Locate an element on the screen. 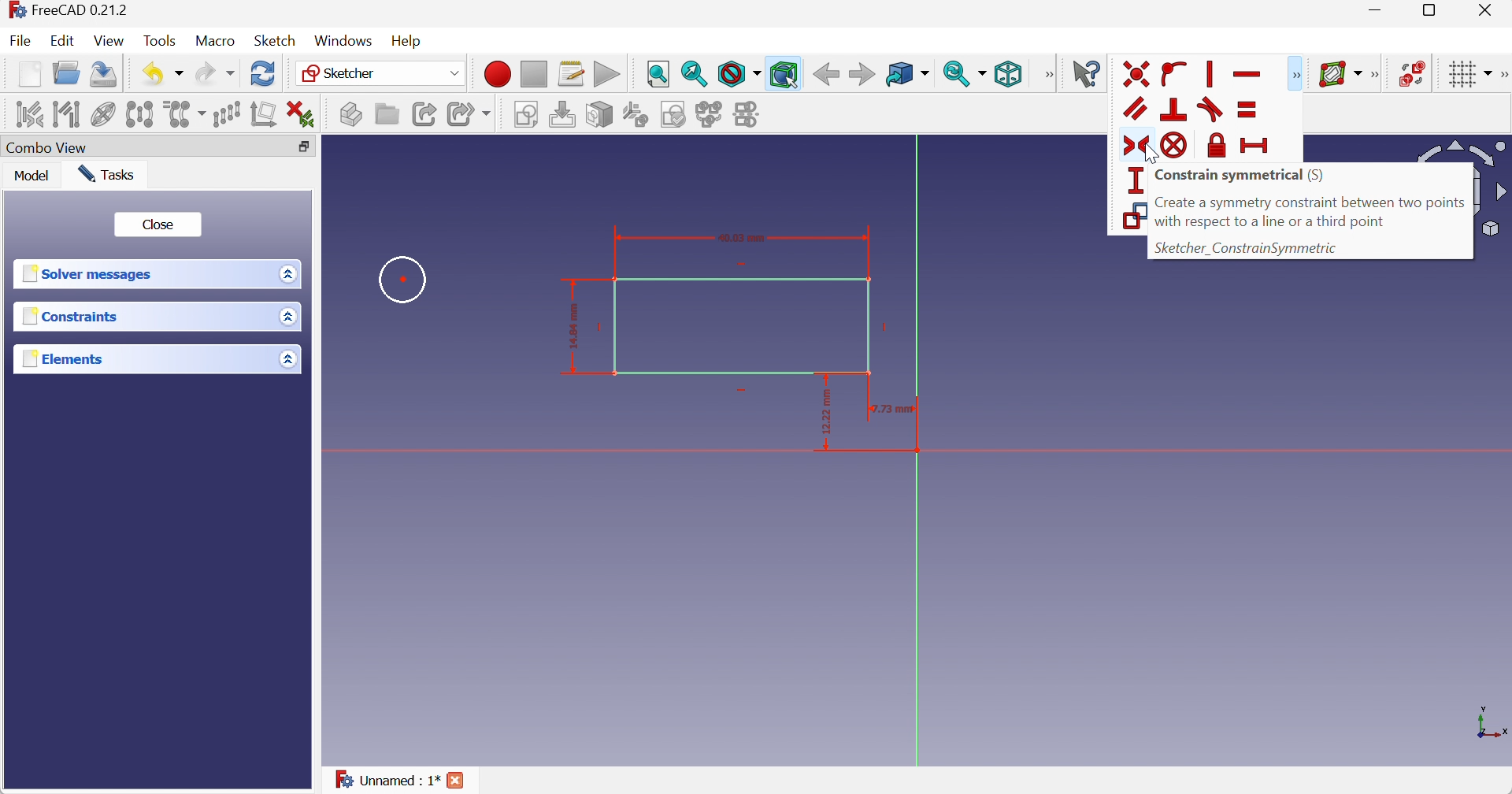 The image size is (1512, 794). Model is located at coordinates (32, 174).